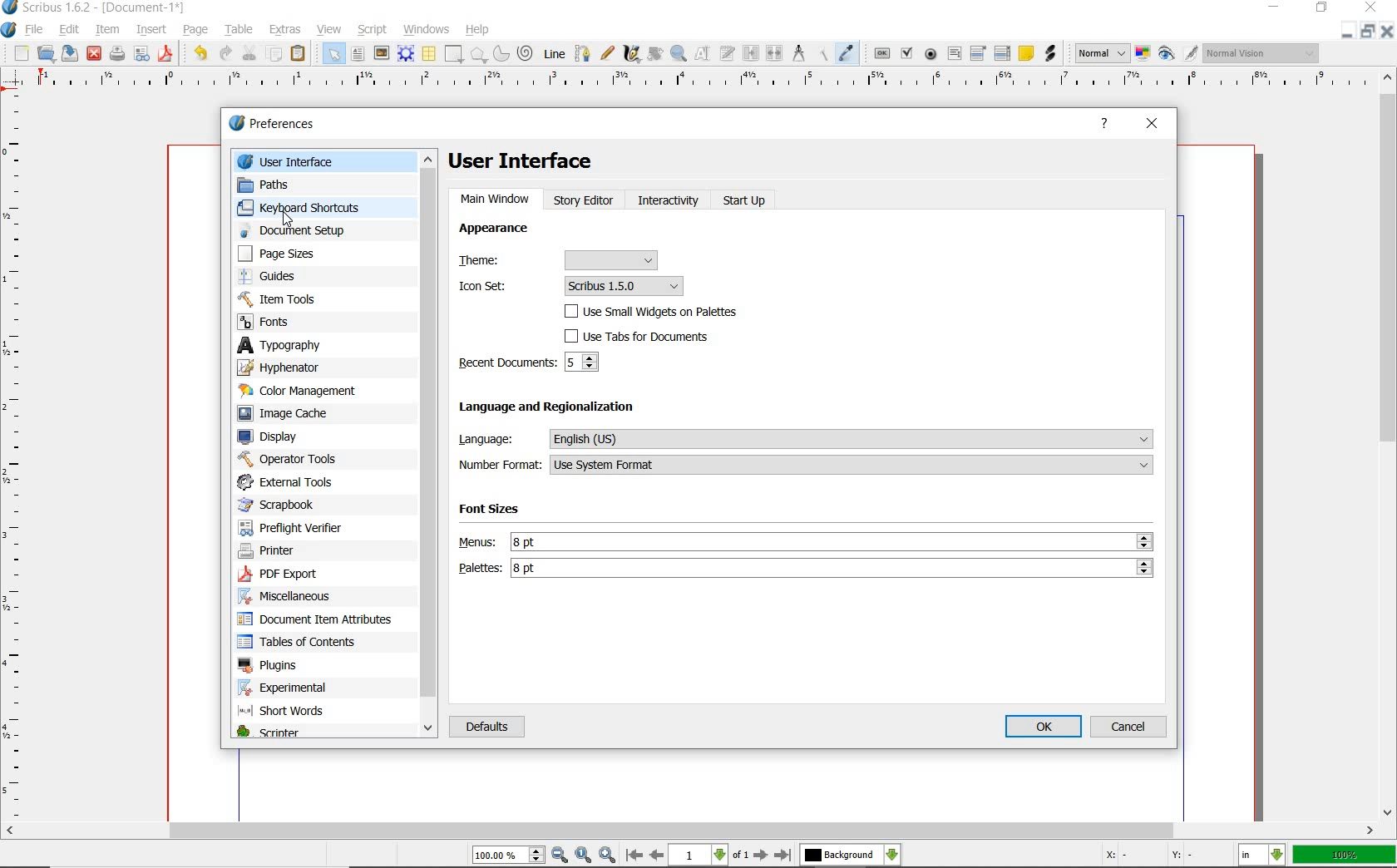 The image size is (1397, 868). Describe the element at coordinates (633, 55) in the screenshot. I see `calligraphic line` at that location.